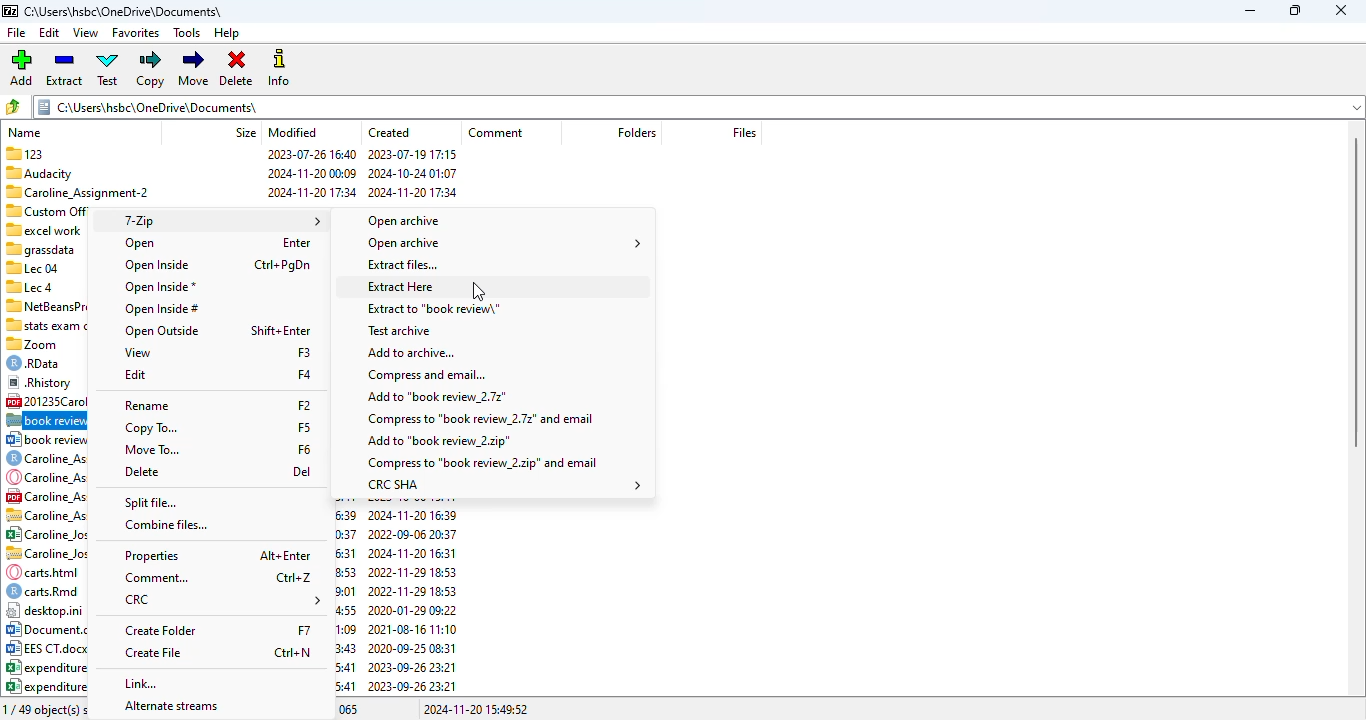 Image resolution: width=1366 pixels, height=720 pixels. I want to click on 1/49 object(s) selected, so click(49, 709).